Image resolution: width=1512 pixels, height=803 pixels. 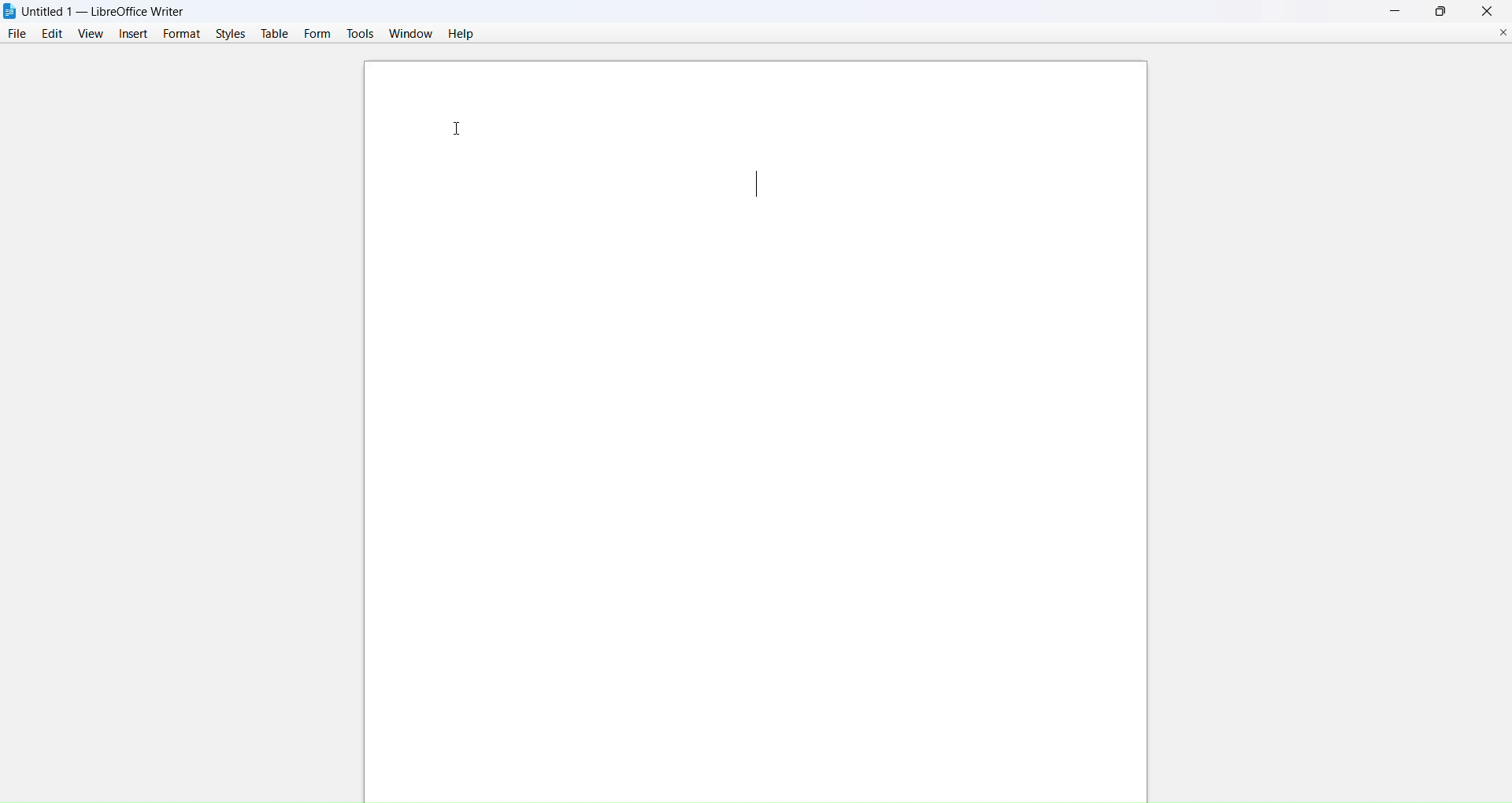 What do you see at coordinates (361, 33) in the screenshot?
I see `tools` at bounding box center [361, 33].